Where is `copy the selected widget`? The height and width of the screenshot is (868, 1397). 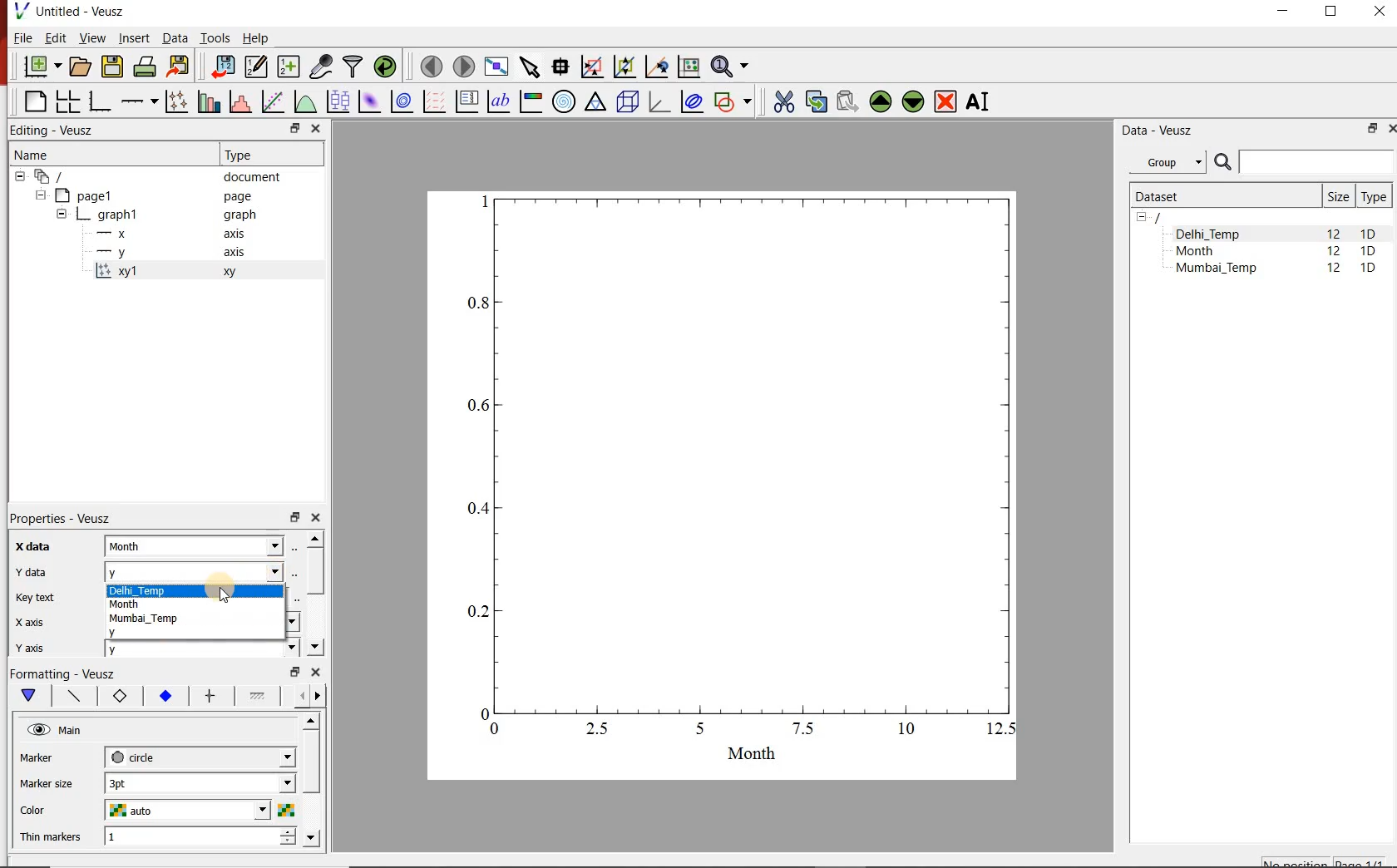
copy the selected widget is located at coordinates (814, 101).